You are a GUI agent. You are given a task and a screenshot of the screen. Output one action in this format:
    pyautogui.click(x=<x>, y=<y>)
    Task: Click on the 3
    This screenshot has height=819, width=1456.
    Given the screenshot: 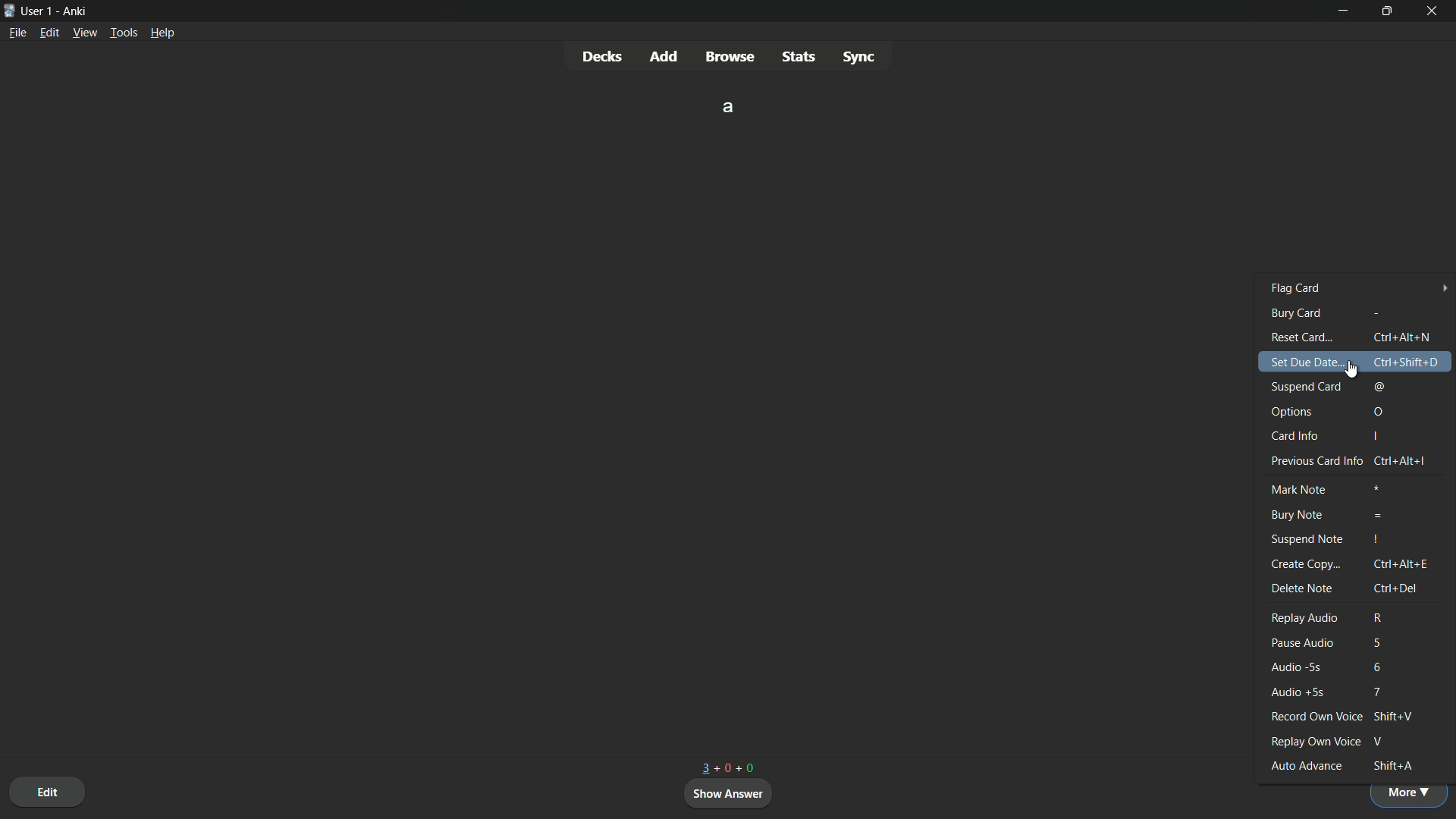 What is the action you would take?
    pyautogui.click(x=701, y=768)
    